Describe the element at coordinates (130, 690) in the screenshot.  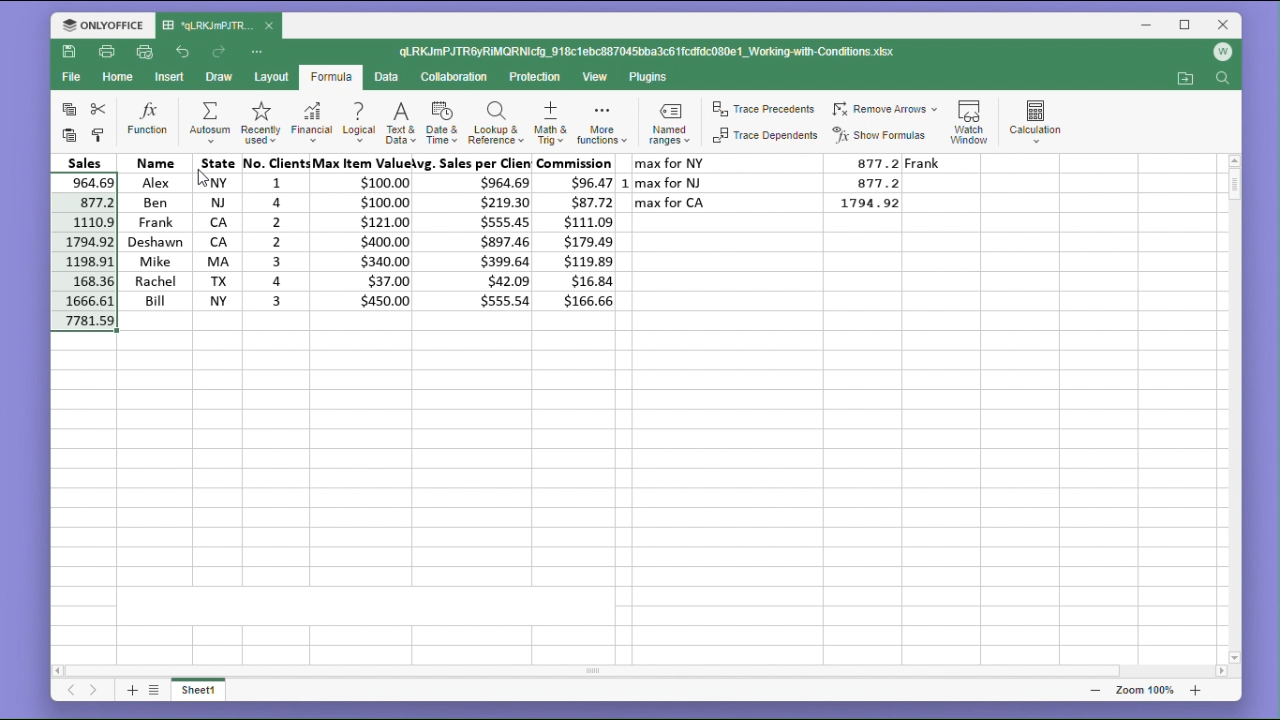
I see `add sheet` at that location.